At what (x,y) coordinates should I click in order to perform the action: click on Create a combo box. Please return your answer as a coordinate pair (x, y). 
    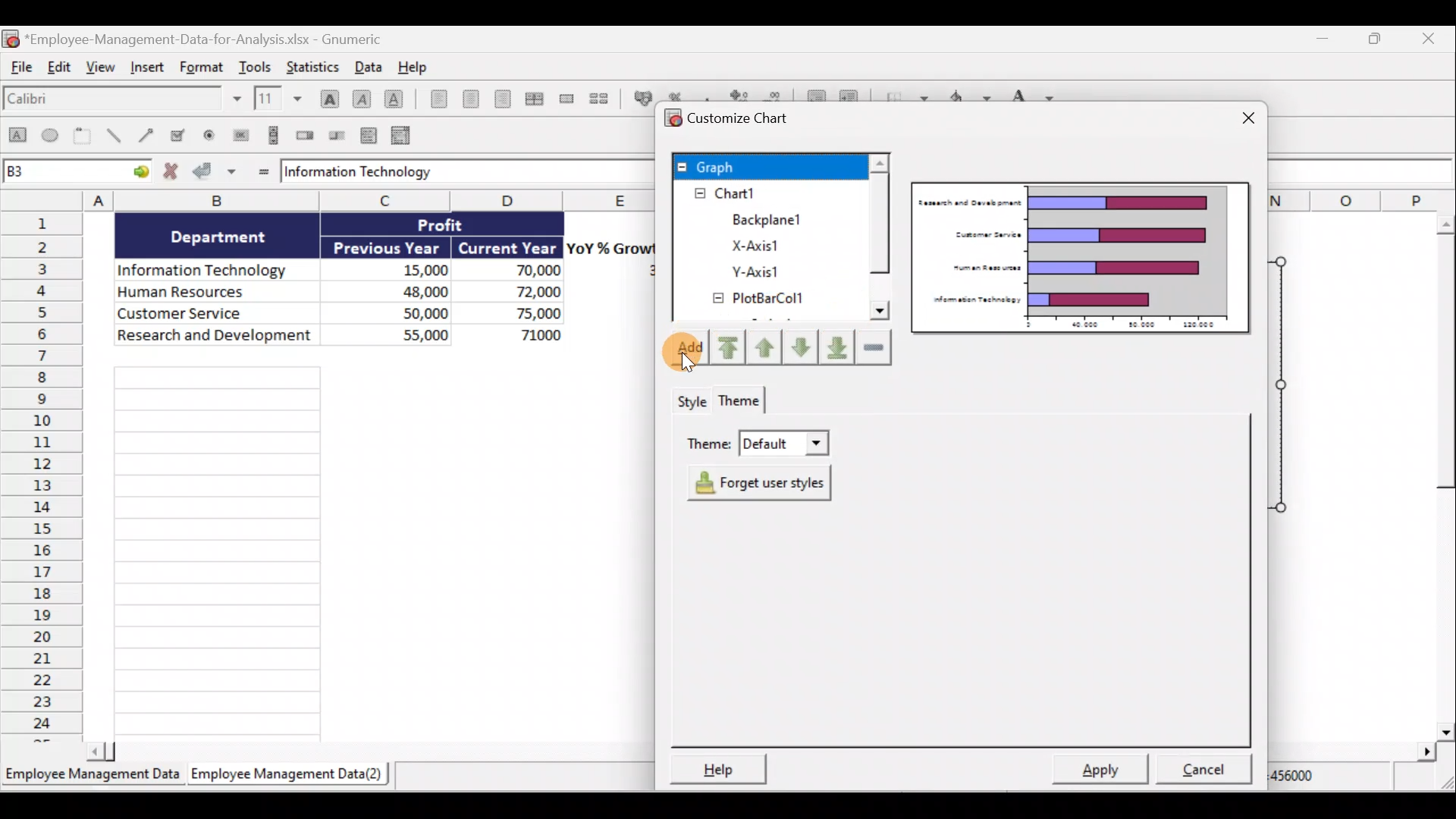
    Looking at the image, I should click on (404, 136).